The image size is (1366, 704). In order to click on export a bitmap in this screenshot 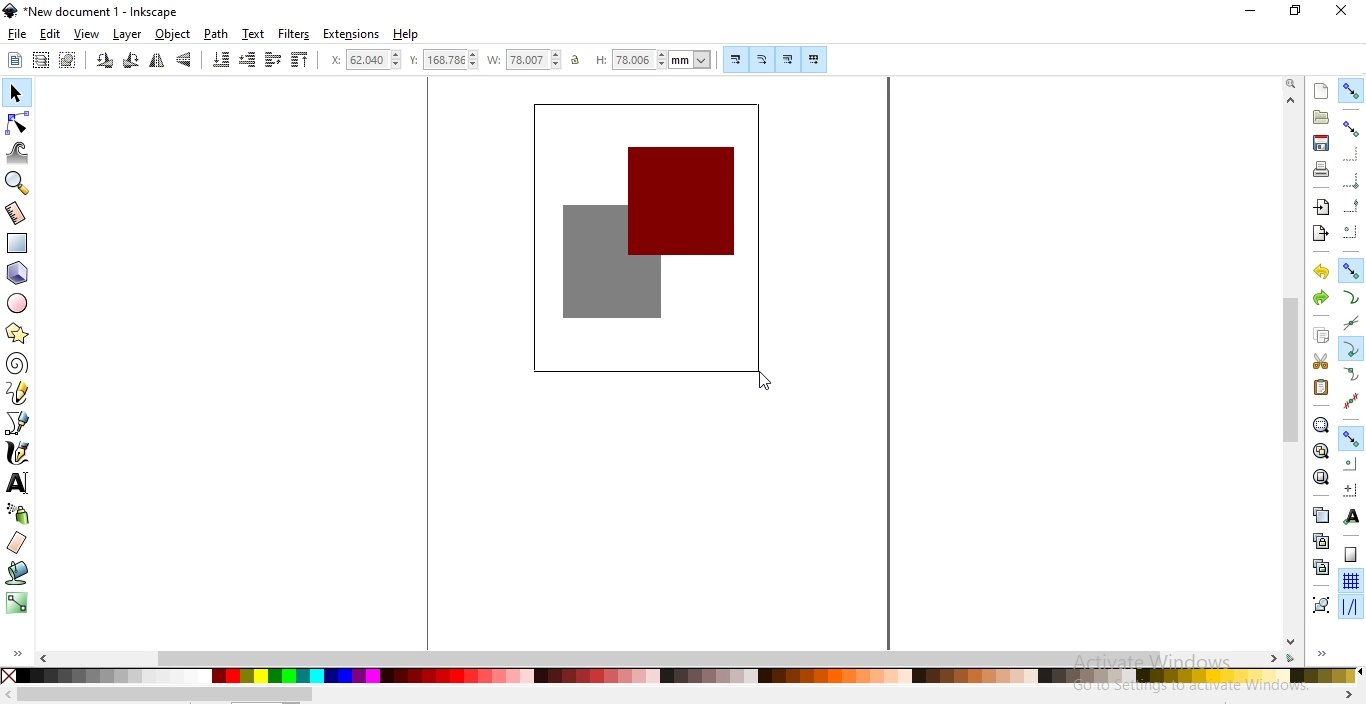, I will do `click(1319, 234)`.